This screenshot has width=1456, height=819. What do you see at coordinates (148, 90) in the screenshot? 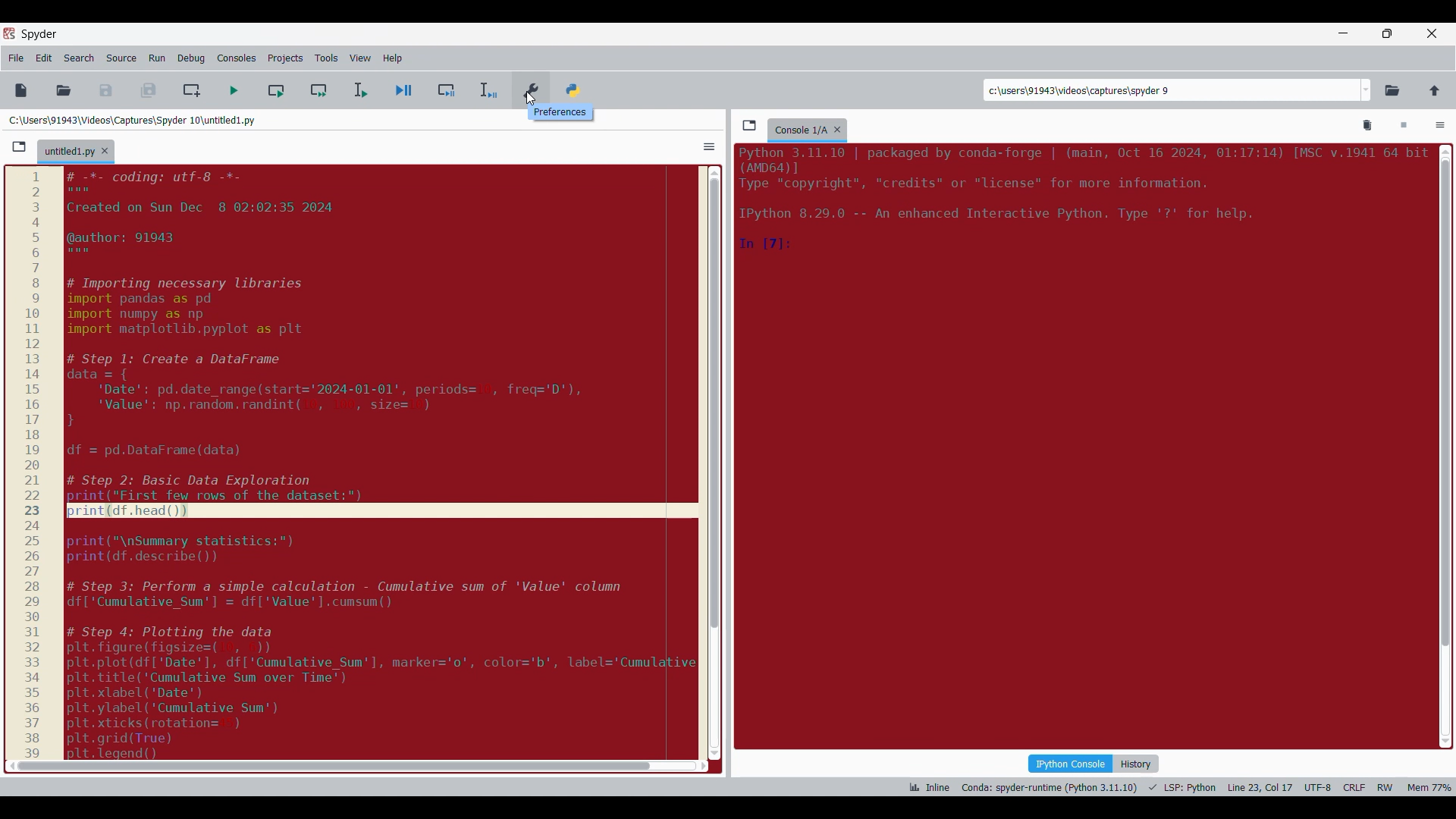
I see `Save all files` at bounding box center [148, 90].